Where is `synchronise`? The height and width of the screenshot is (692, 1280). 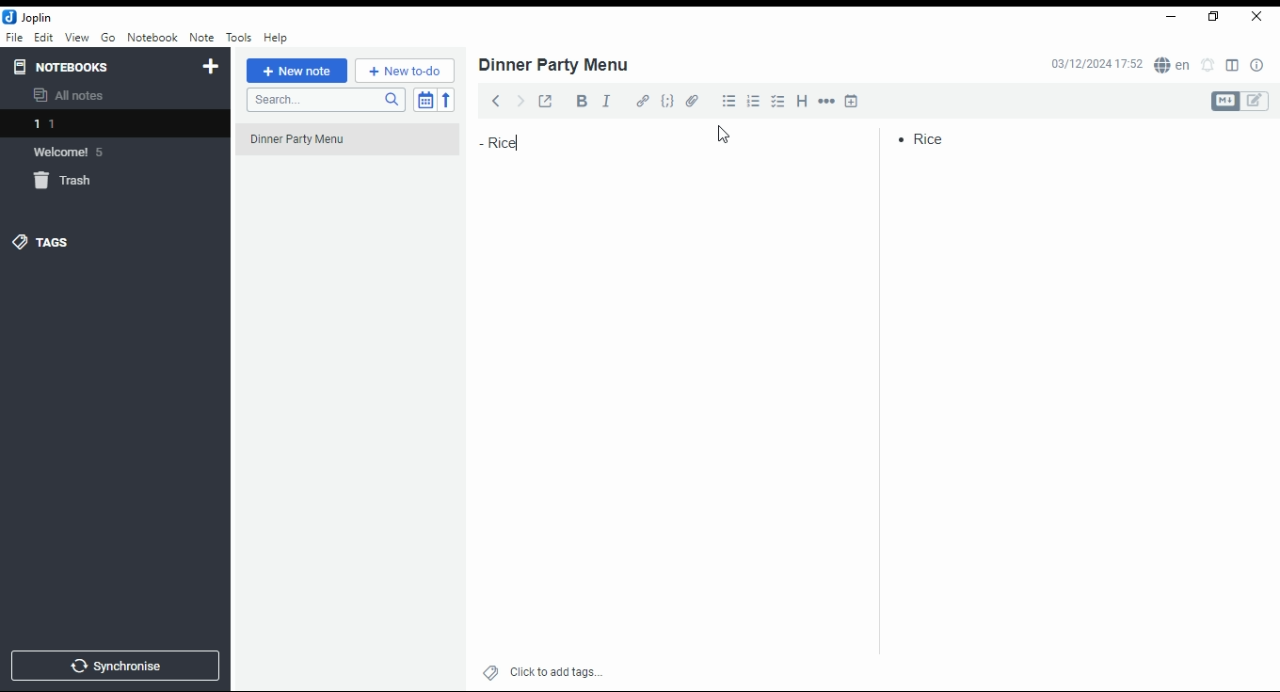 synchronise is located at coordinates (115, 666).